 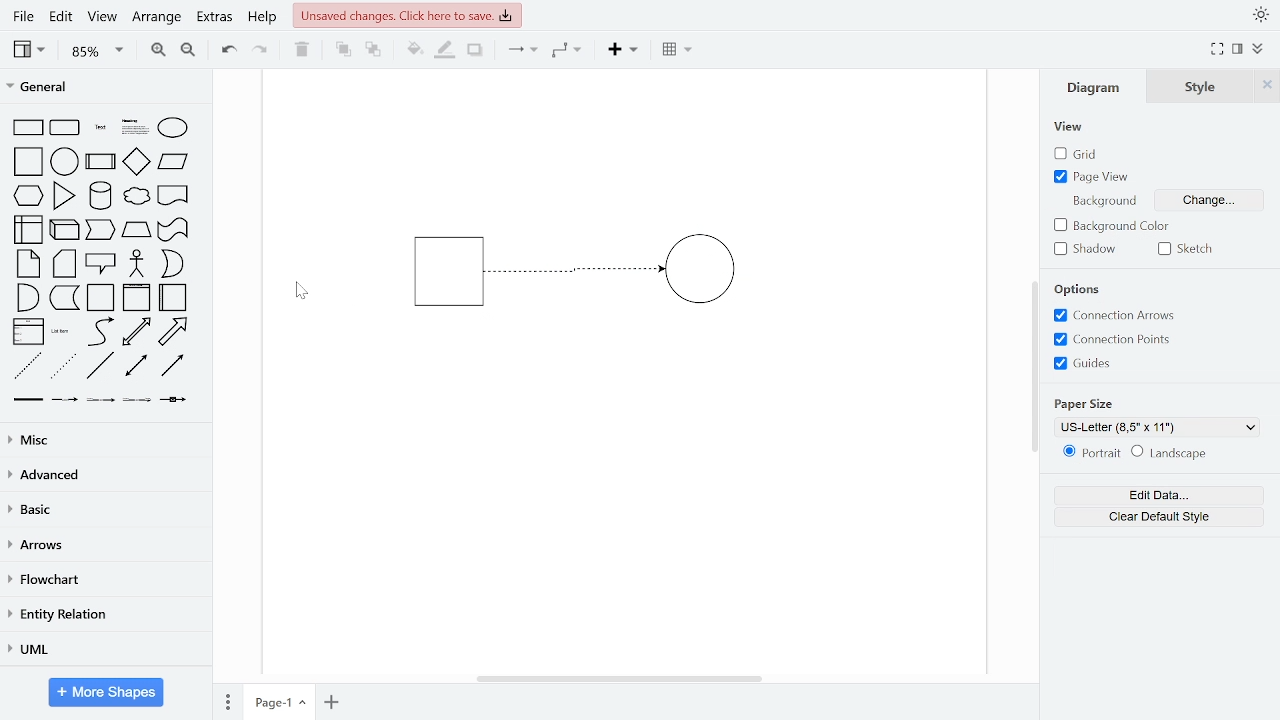 I want to click on text, so click(x=102, y=129).